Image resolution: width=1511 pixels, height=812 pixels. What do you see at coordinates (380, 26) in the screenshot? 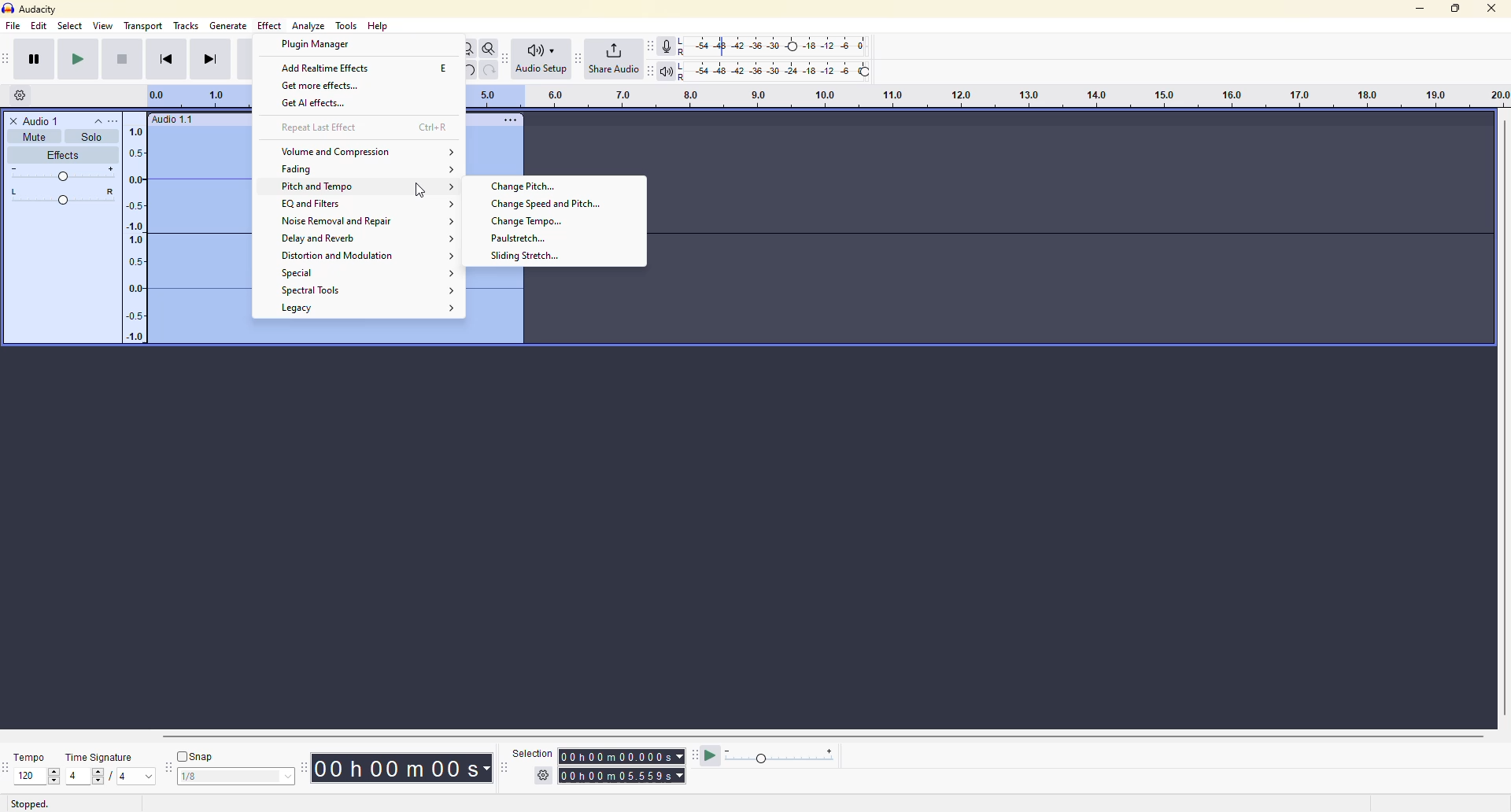
I see `help` at bounding box center [380, 26].